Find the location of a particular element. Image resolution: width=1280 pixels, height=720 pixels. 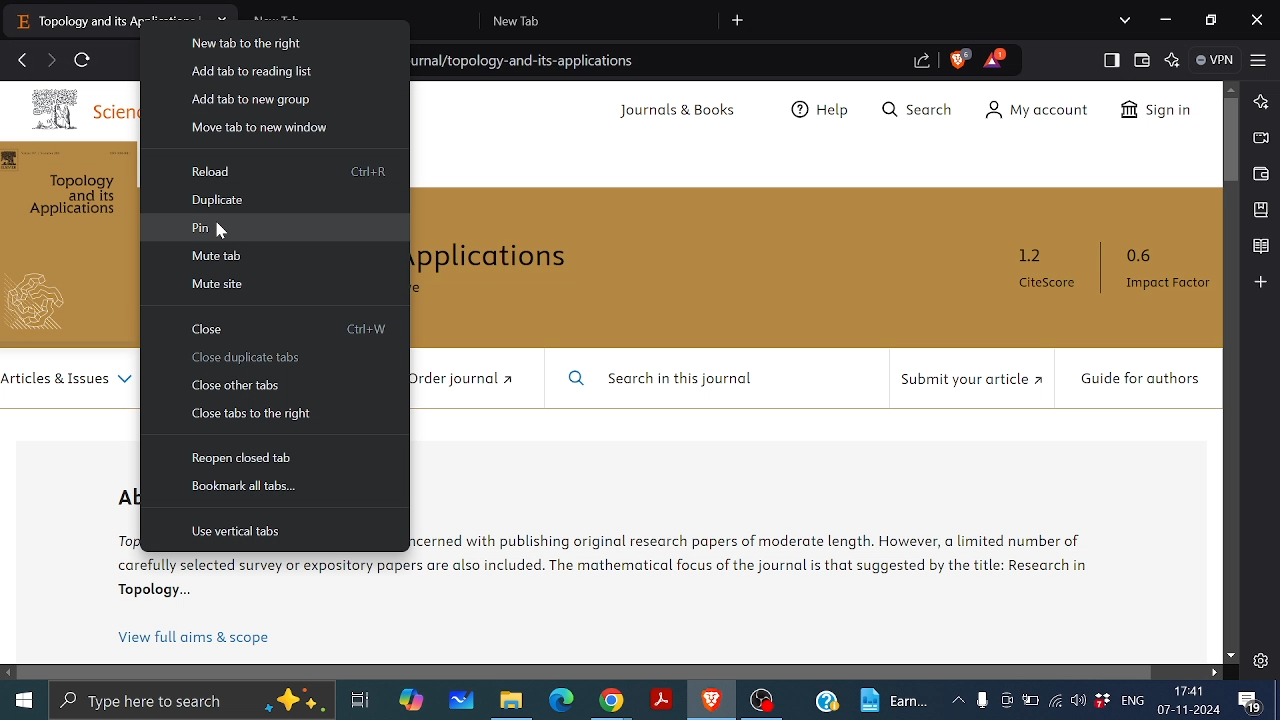

0.6 Impact Factor is located at coordinates (1162, 269).